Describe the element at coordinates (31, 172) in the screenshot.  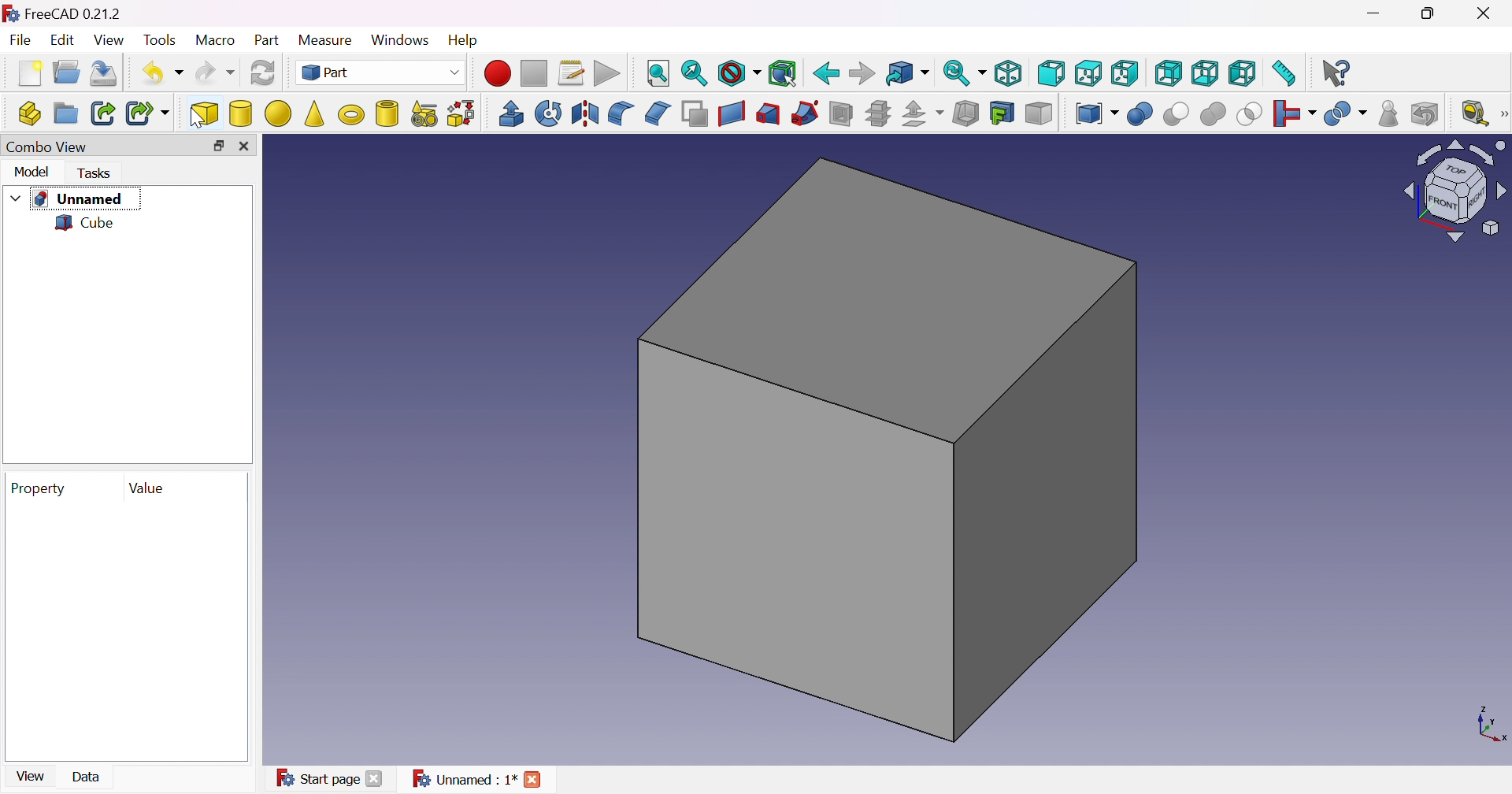
I see `Model` at that location.